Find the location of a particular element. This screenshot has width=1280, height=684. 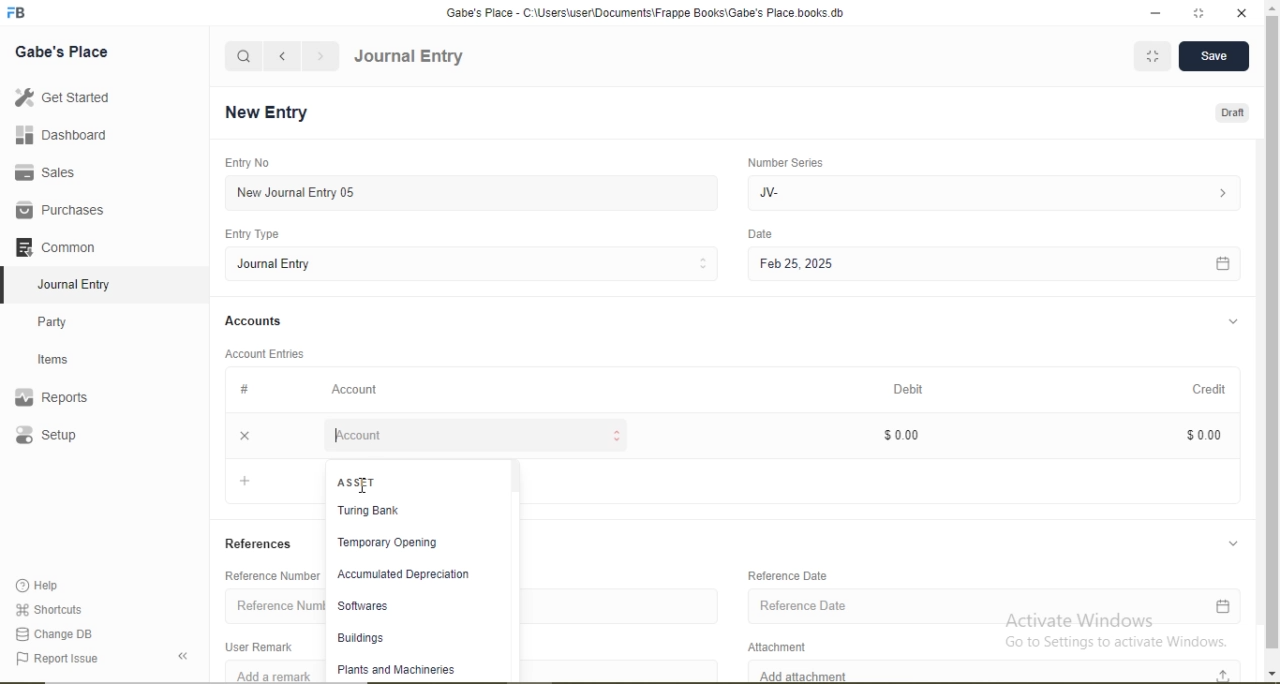

Journal Entry is located at coordinates (478, 263).